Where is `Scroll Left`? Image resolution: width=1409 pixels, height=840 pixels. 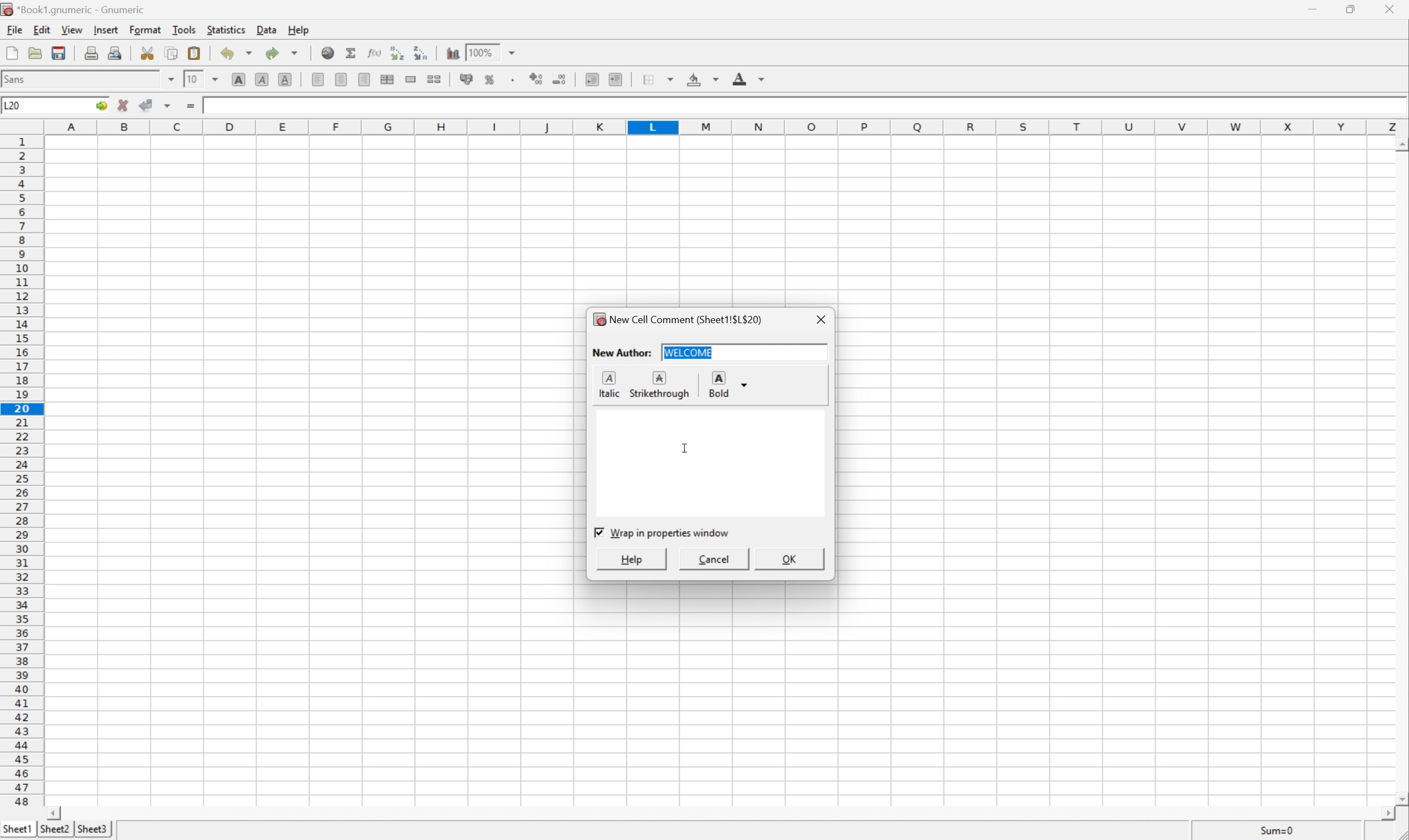 Scroll Left is located at coordinates (55, 813).